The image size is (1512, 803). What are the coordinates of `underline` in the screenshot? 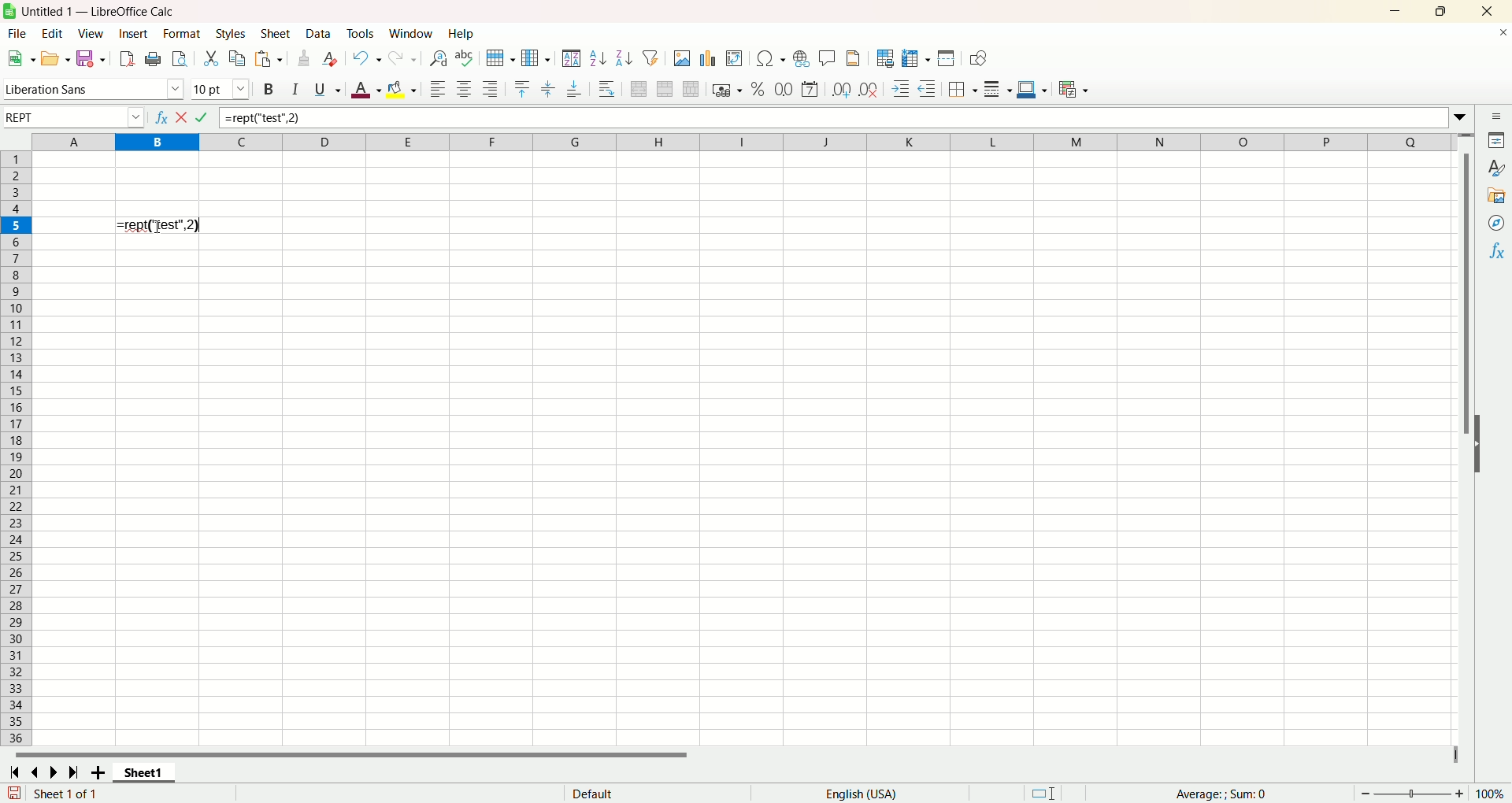 It's located at (325, 89).